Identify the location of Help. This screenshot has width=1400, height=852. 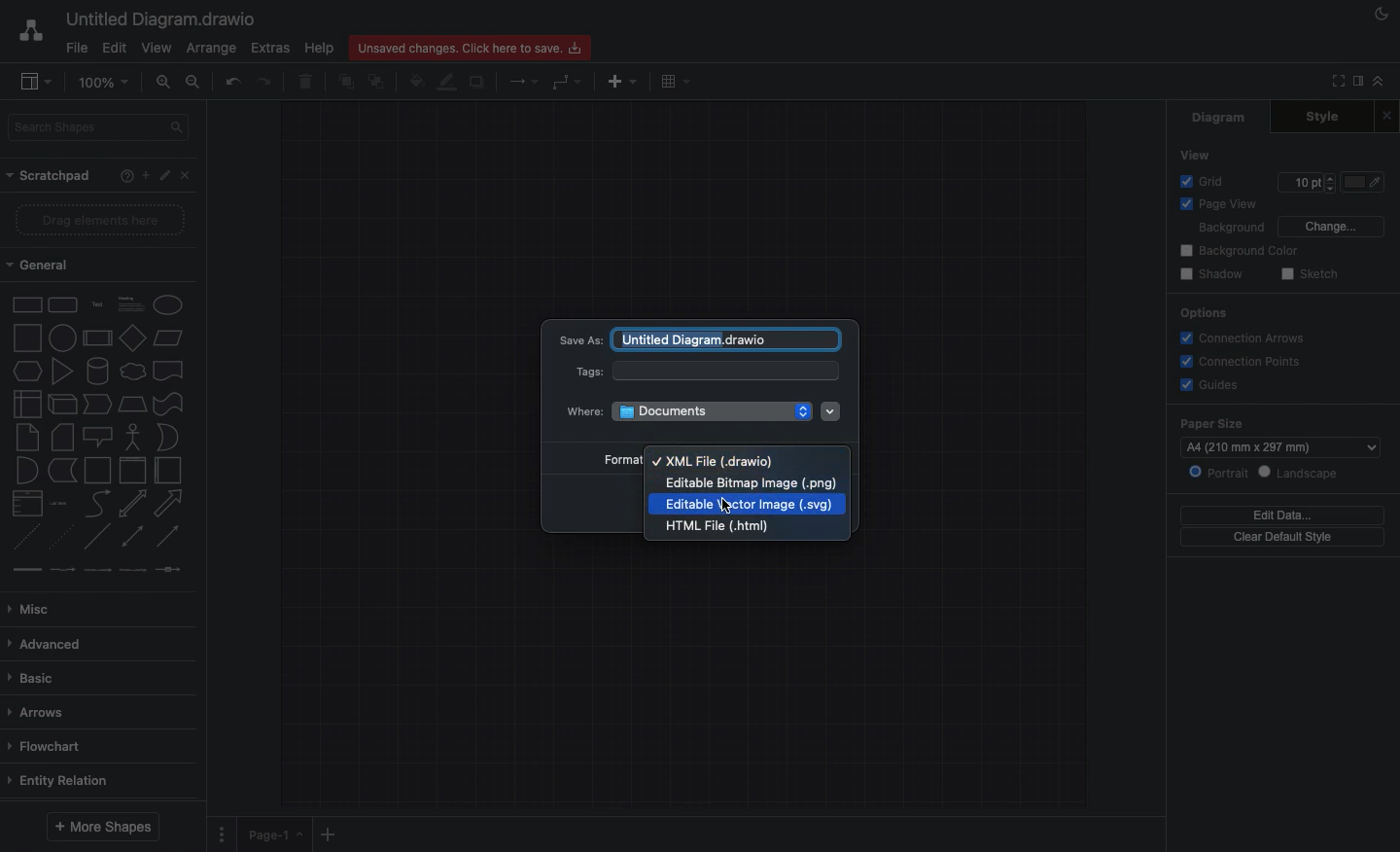
(122, 173).